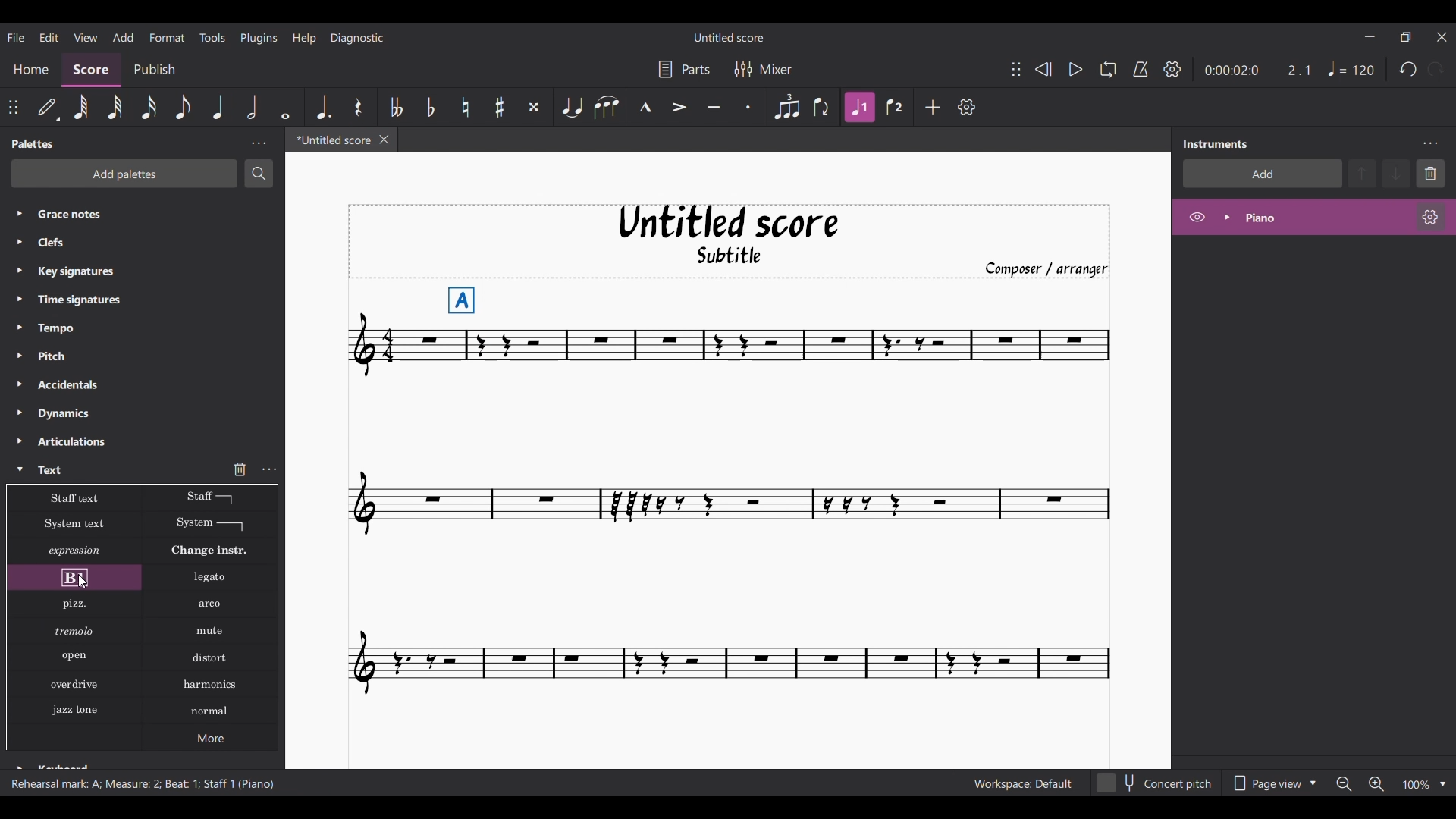 Image resolution: width=1456 pixels, height=819 pixels. I want to click on Parts, so click(683, 69).